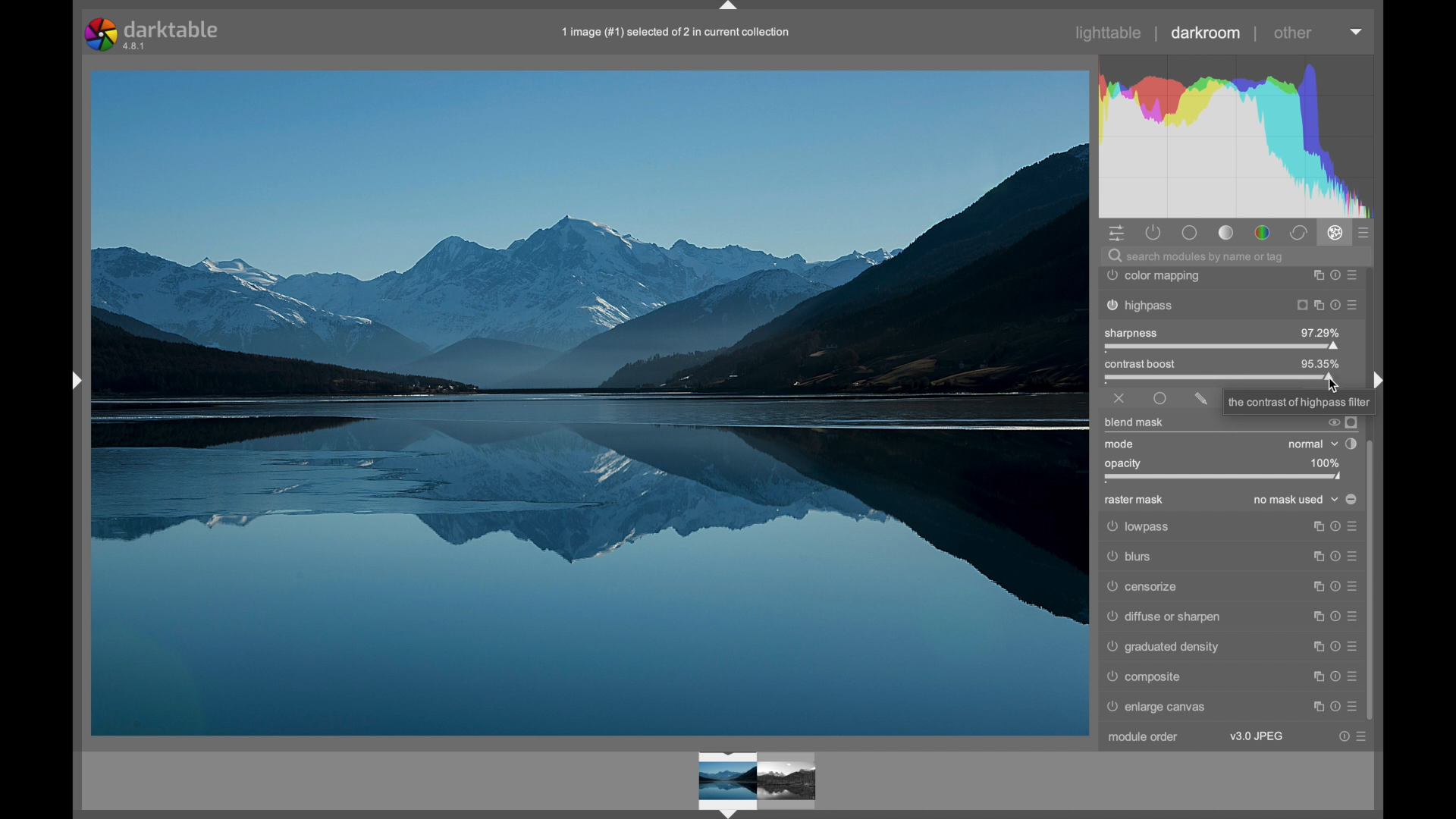 This screenshot has width=1456, height=819. I want to click on uniformly, so click(1160, 398).